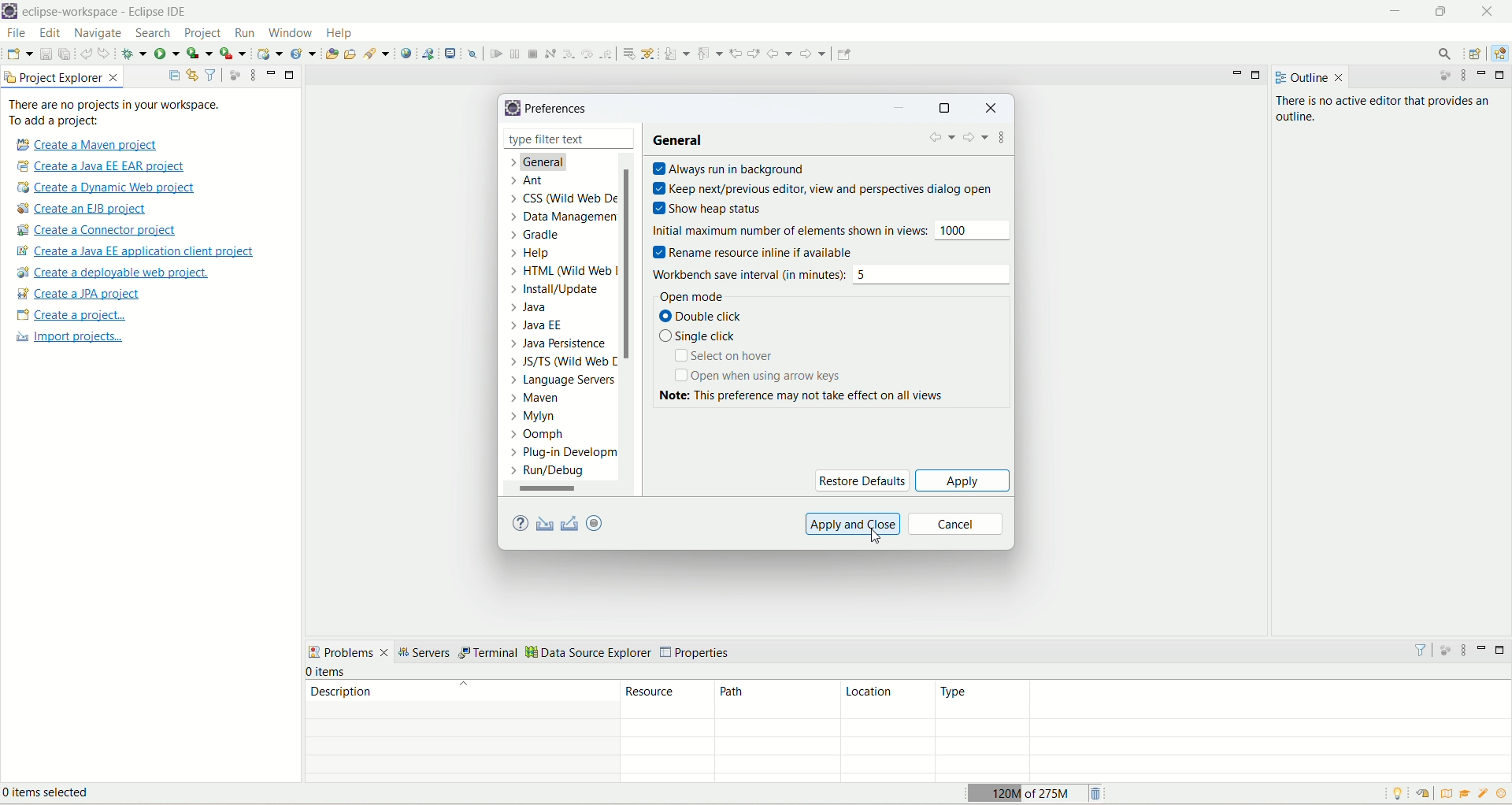 The height and width of the screenshot is (805, 1512). I want to click on create a deployable web project, so click(114, 273).